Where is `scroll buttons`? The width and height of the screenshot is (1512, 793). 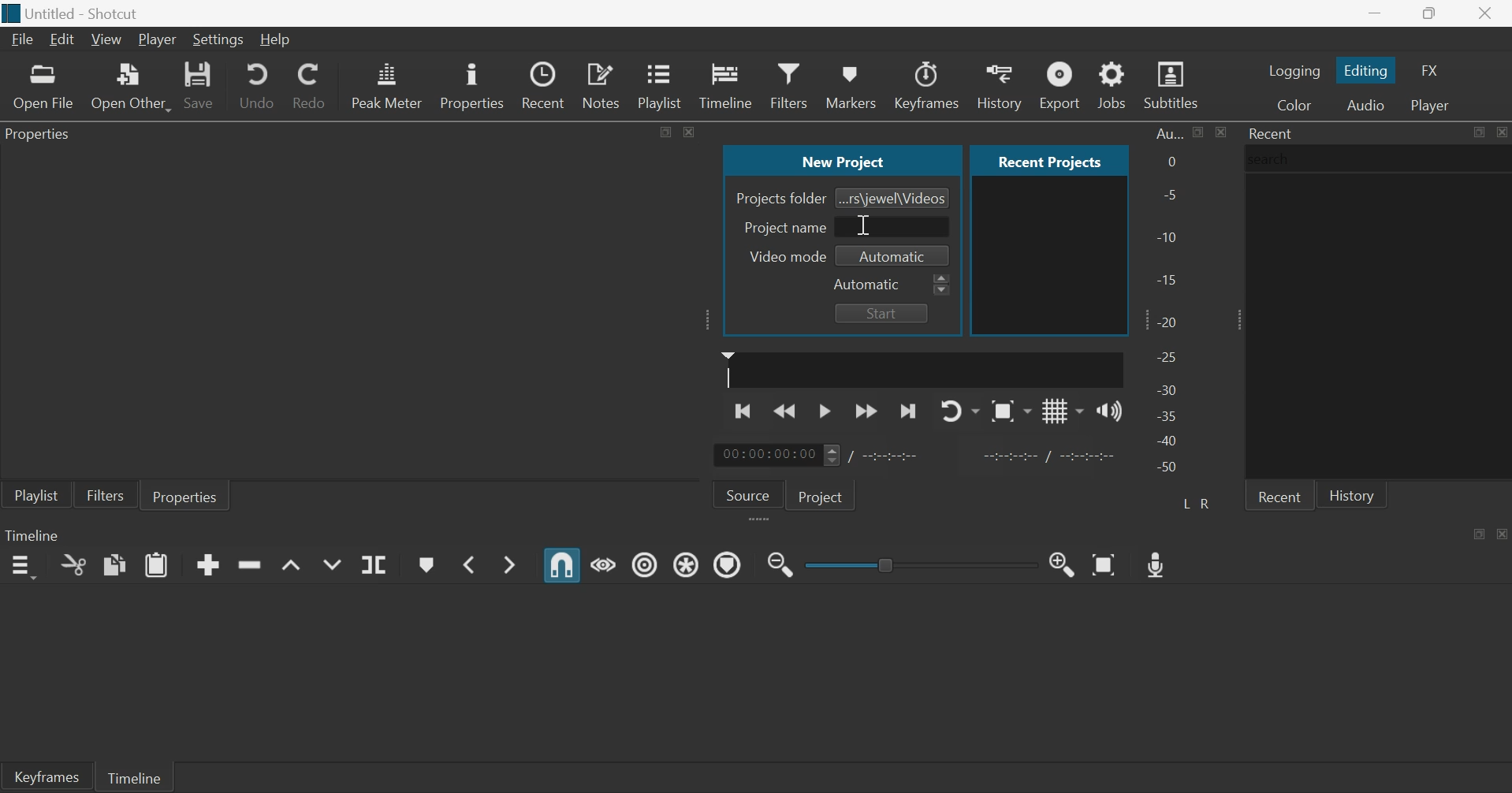
scroll buttons is located at coordinates (942, 285).